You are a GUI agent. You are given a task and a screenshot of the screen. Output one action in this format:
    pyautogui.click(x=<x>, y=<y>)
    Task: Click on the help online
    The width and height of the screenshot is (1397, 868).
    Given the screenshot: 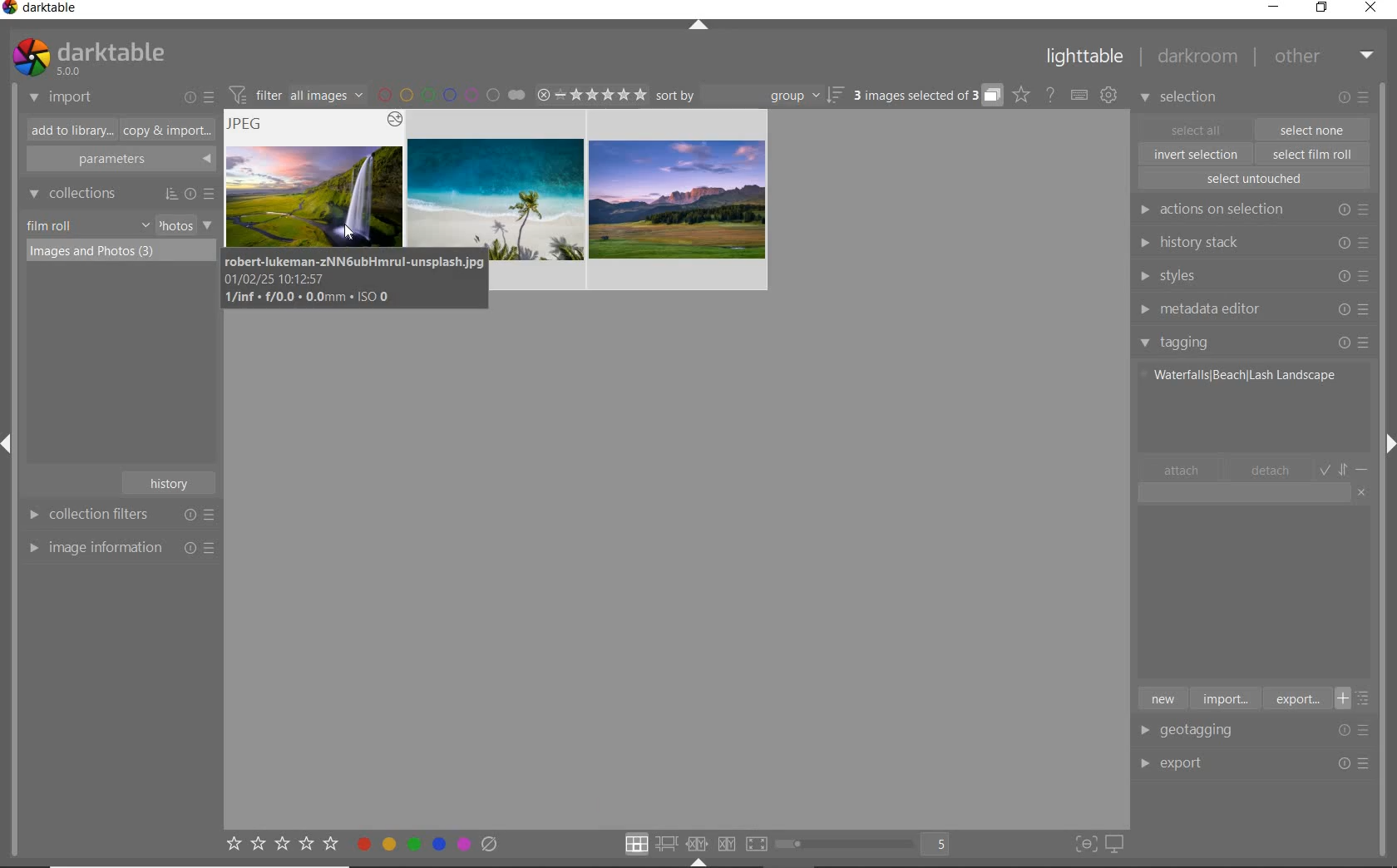 What is the action you would take?
    pyautogui.click(x=1050, y=94)
    